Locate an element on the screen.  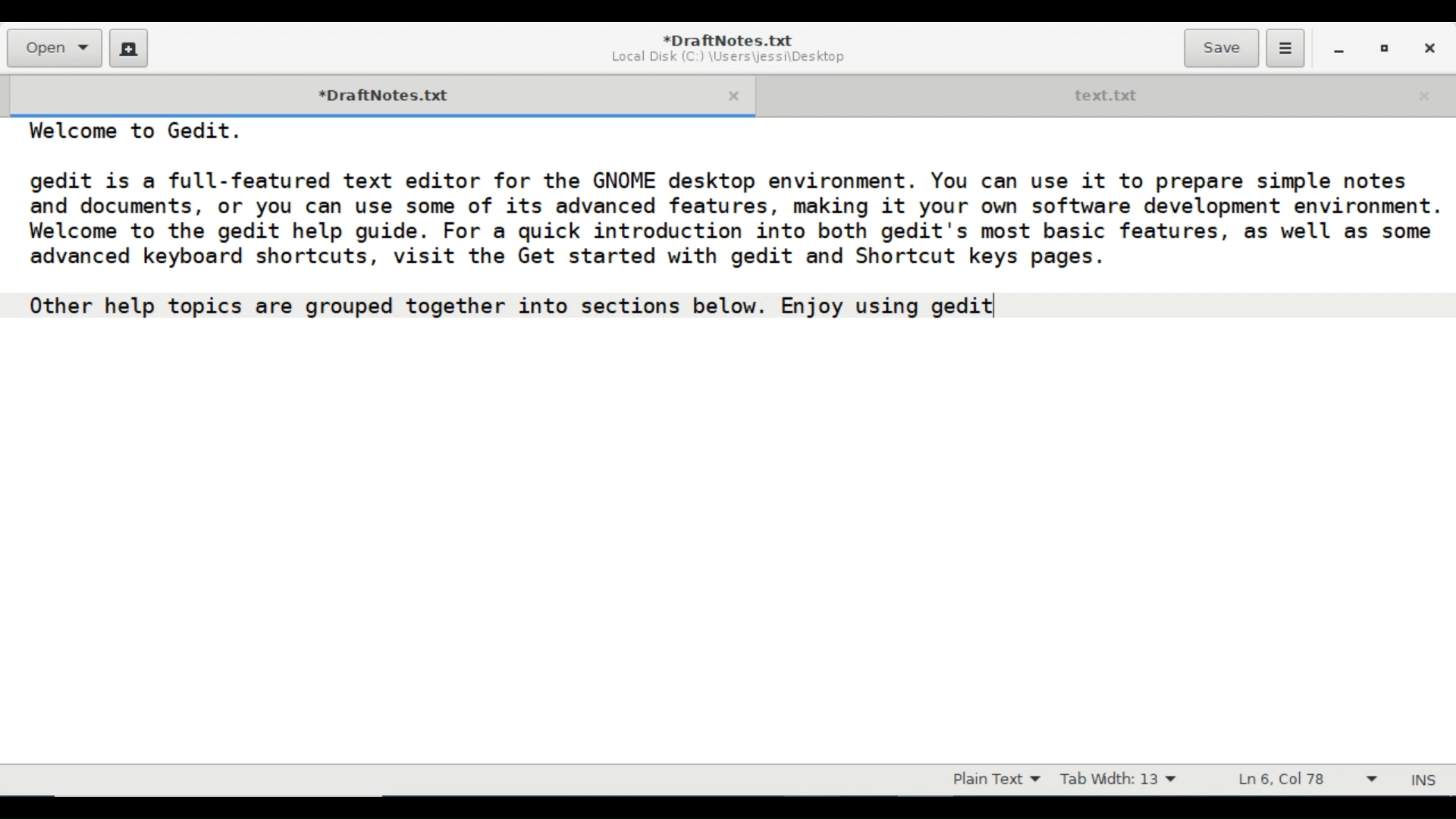
Open Tab is located at coordinates (1104, 93).